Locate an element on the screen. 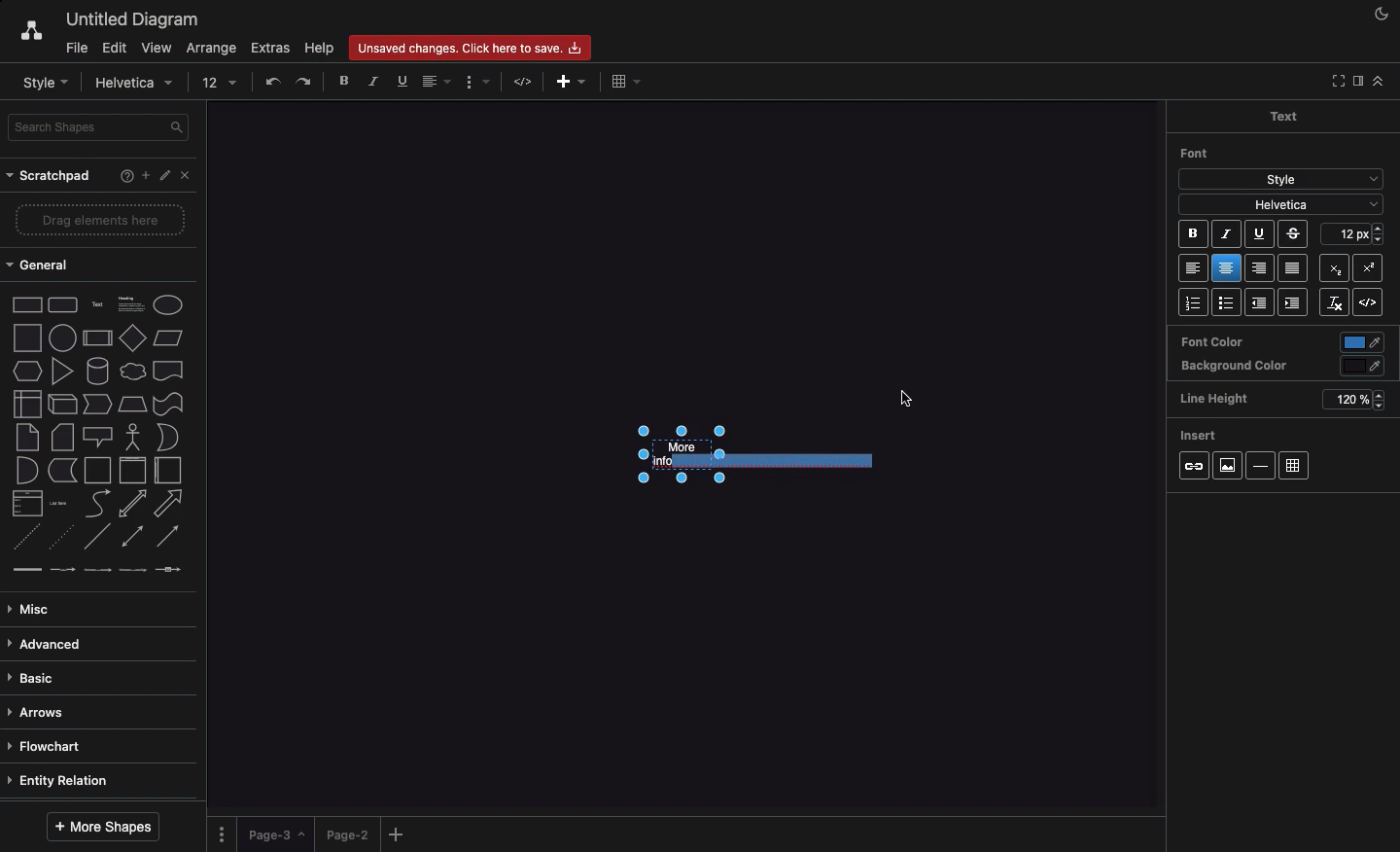 The width and height of the screenshot is (1400, 852). Collapse is located at coordinates (1378, 81).